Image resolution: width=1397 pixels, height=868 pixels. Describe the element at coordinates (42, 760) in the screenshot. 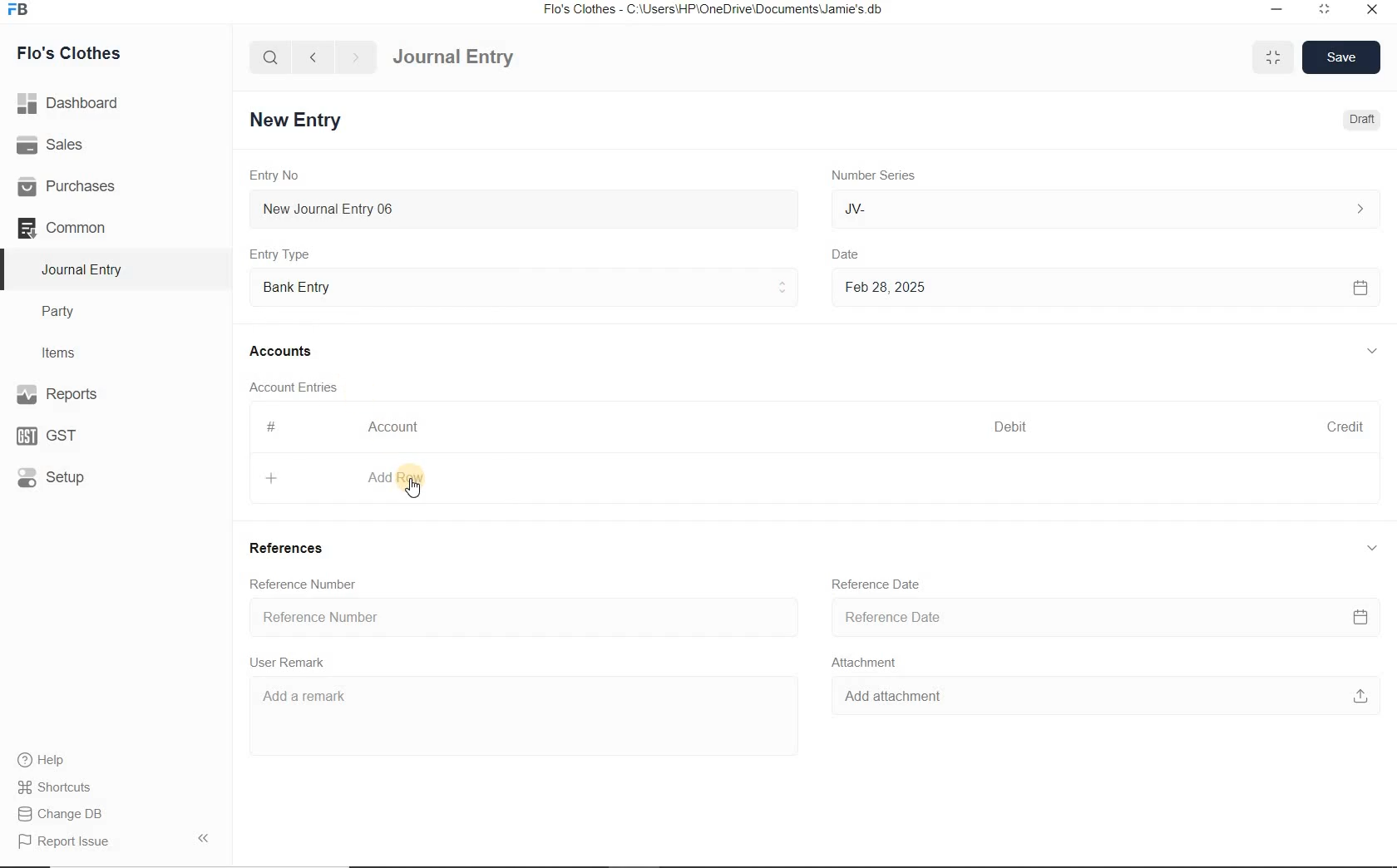

I see `help` at that location.